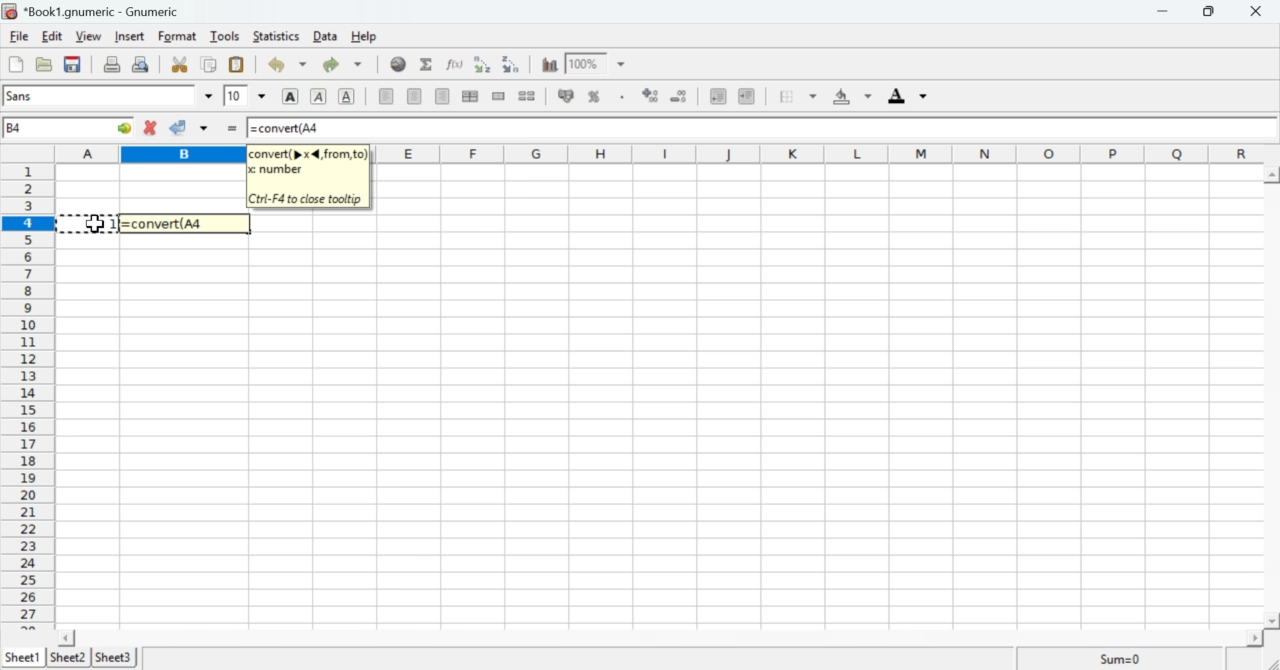 The width and height of the screenshot is (1280, 670). I want to click on Charts, so click(549, 65).